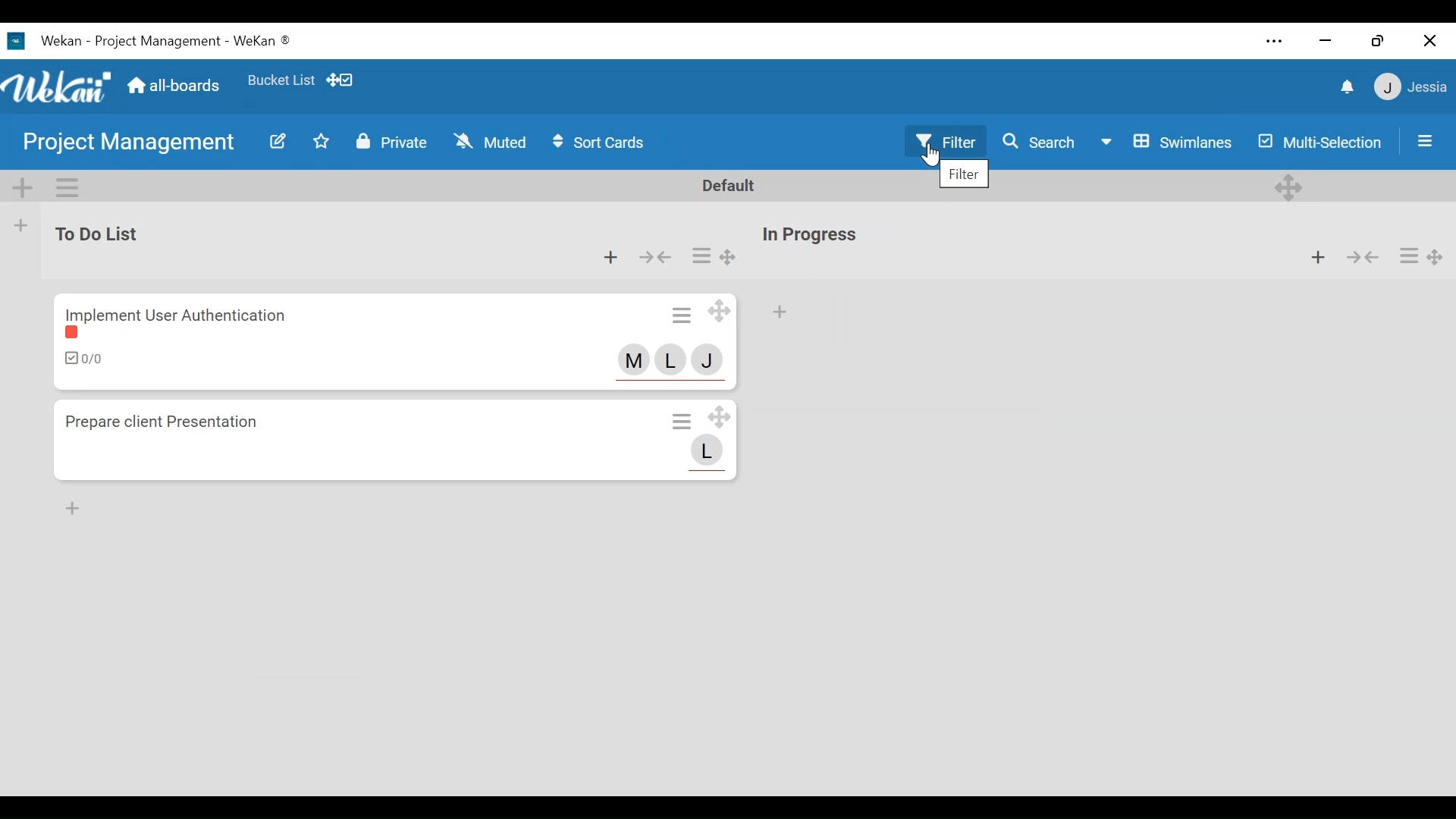 The width and height of the screenshot is (1456, 819). What do you see at coordinates (85, 359) in the screenshot?
I see `Checklist` at bounding box center [85, 359].